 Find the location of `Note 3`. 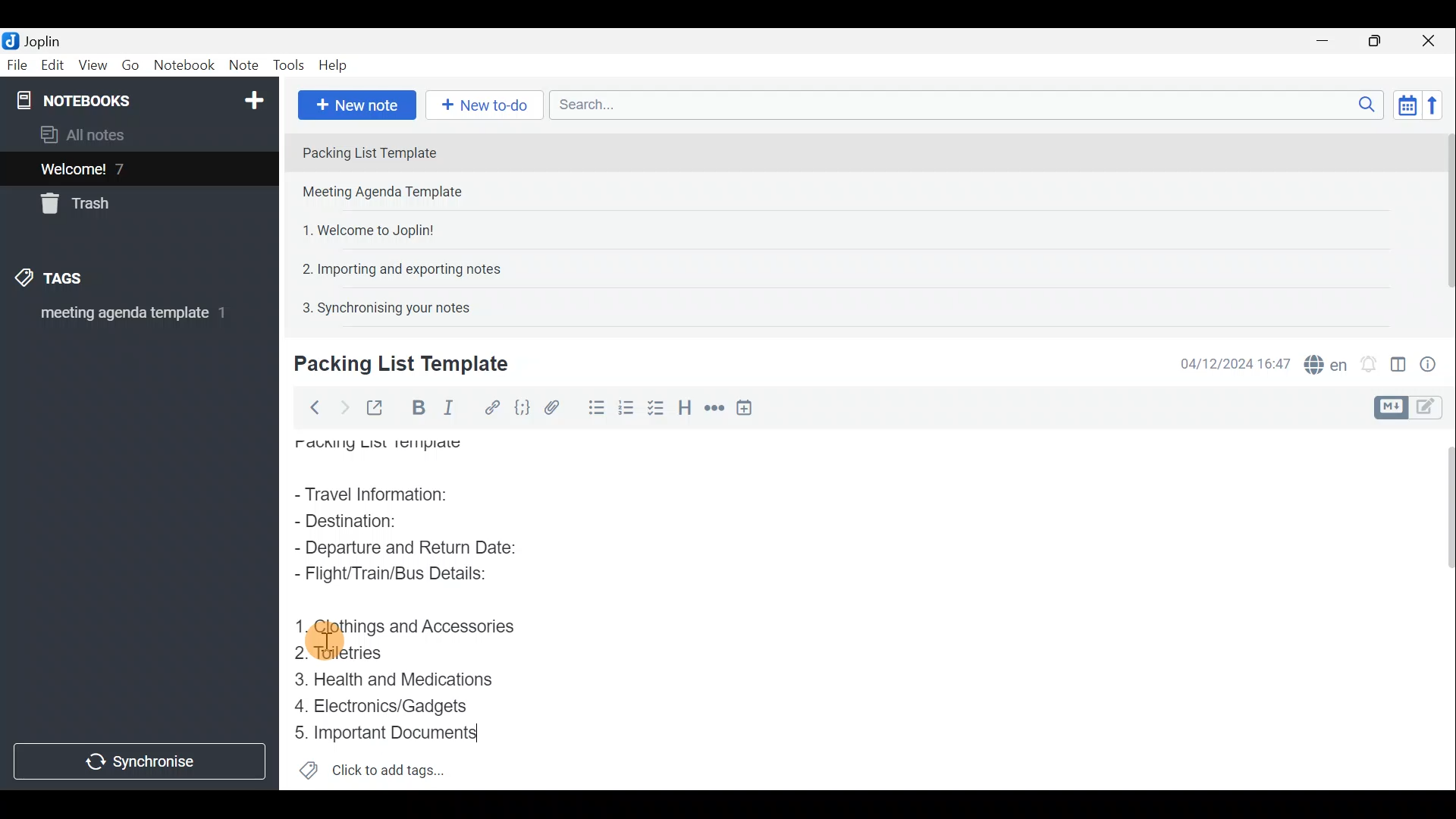

Note 3 is located at coordinates (362, 228).